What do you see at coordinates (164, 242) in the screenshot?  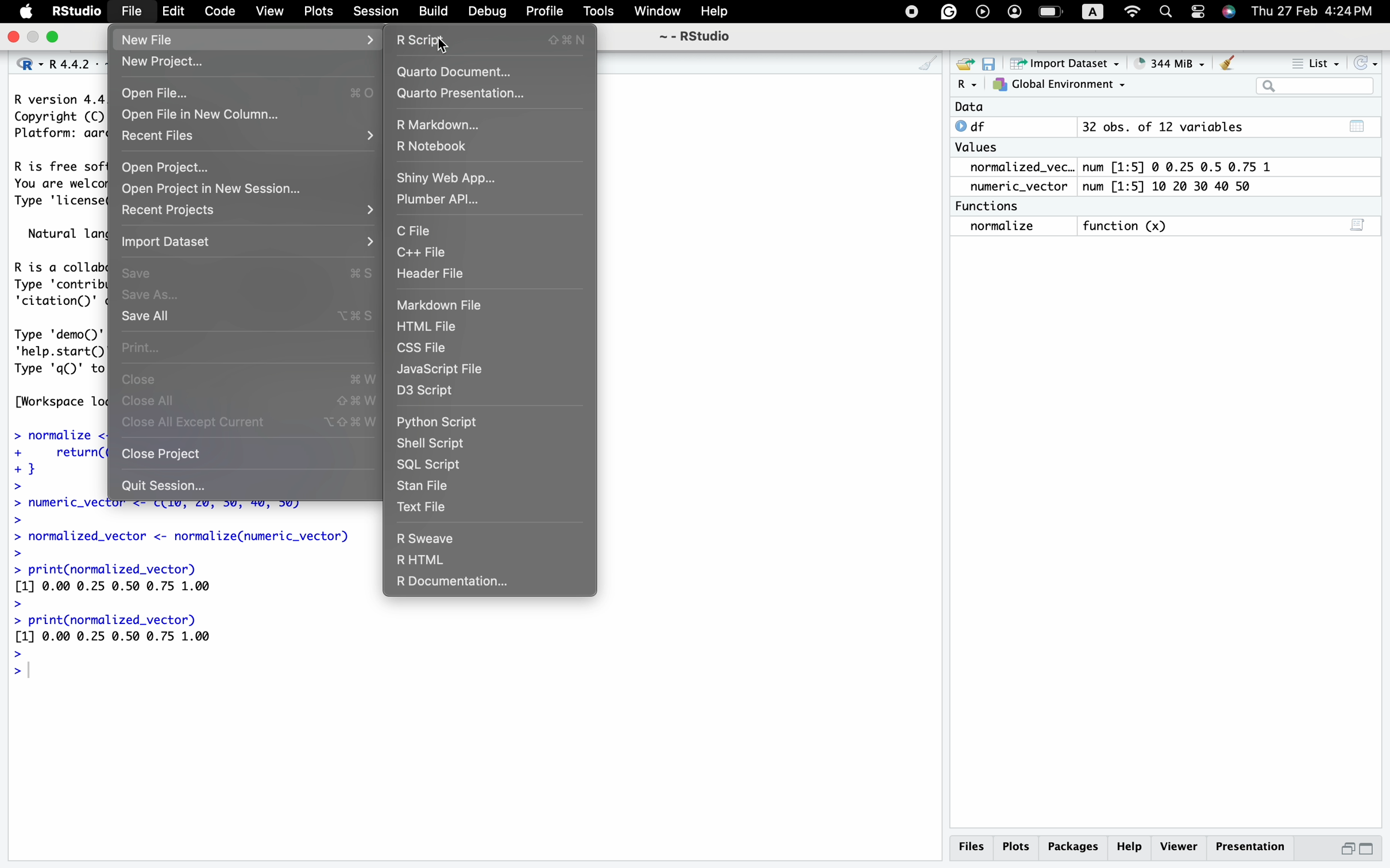 I see `Import Dataset` at bounding box center [164, 242].